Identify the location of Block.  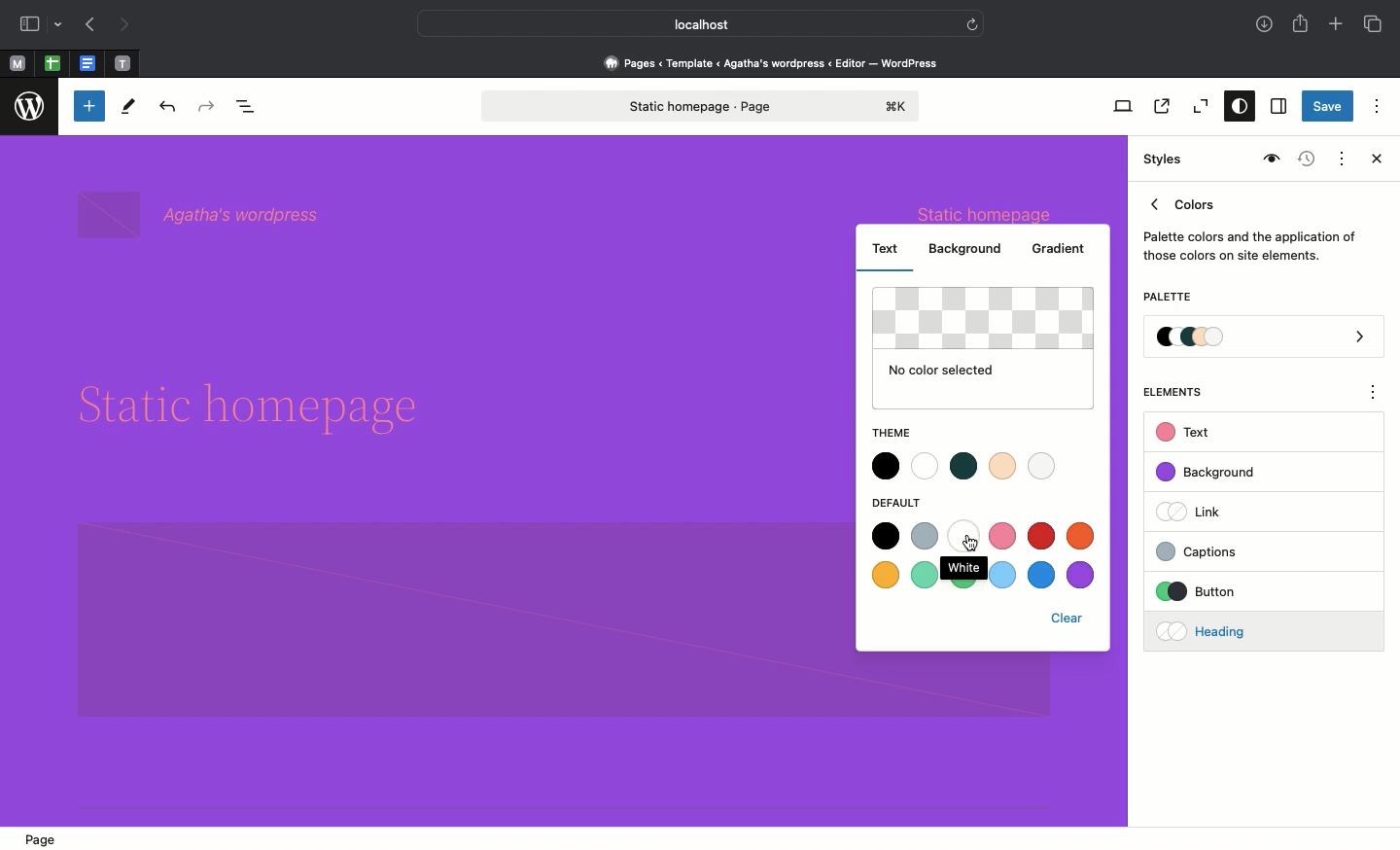
(451, 621).